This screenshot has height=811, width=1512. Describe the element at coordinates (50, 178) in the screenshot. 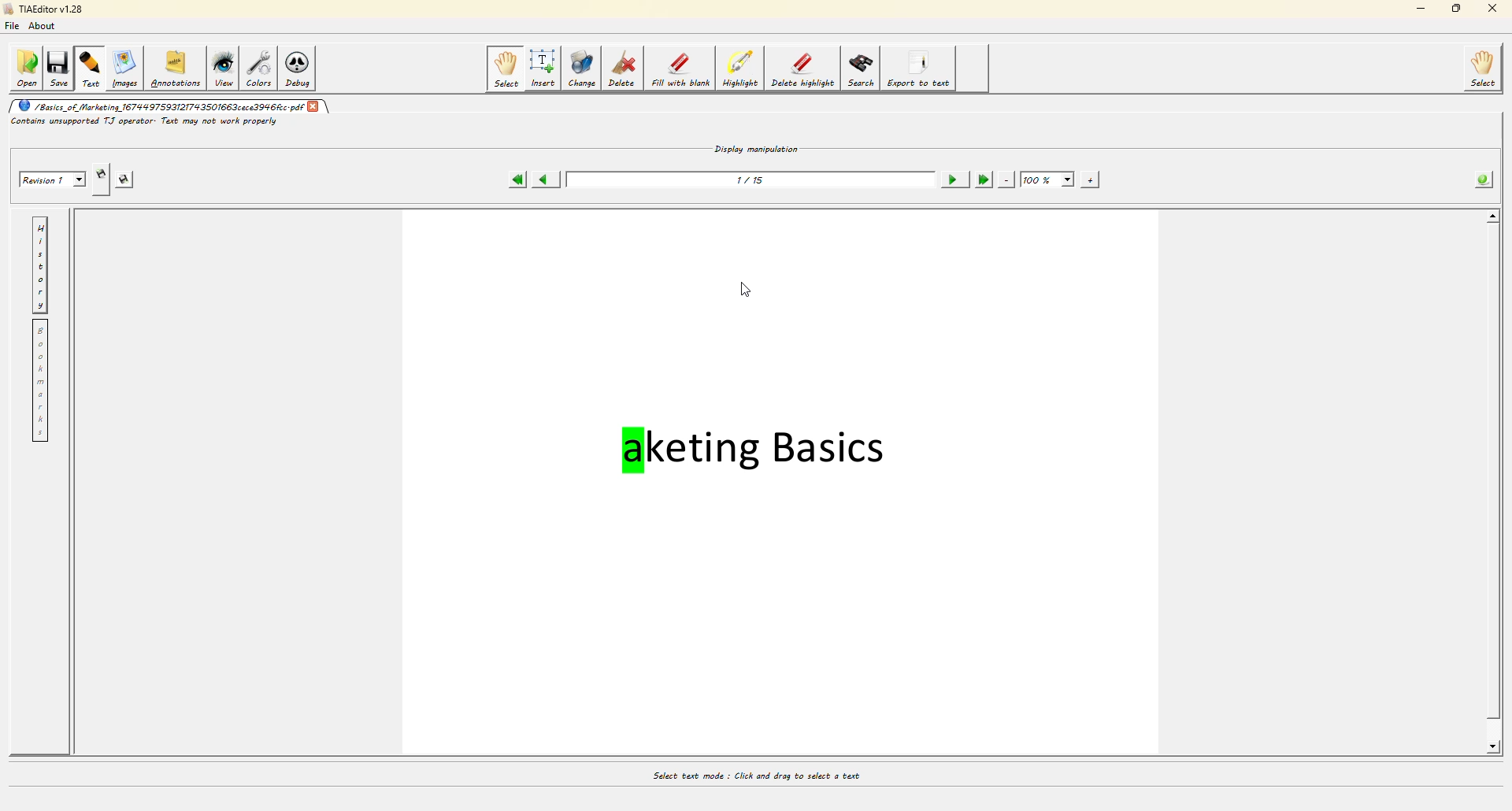

I see `revision` at that location.